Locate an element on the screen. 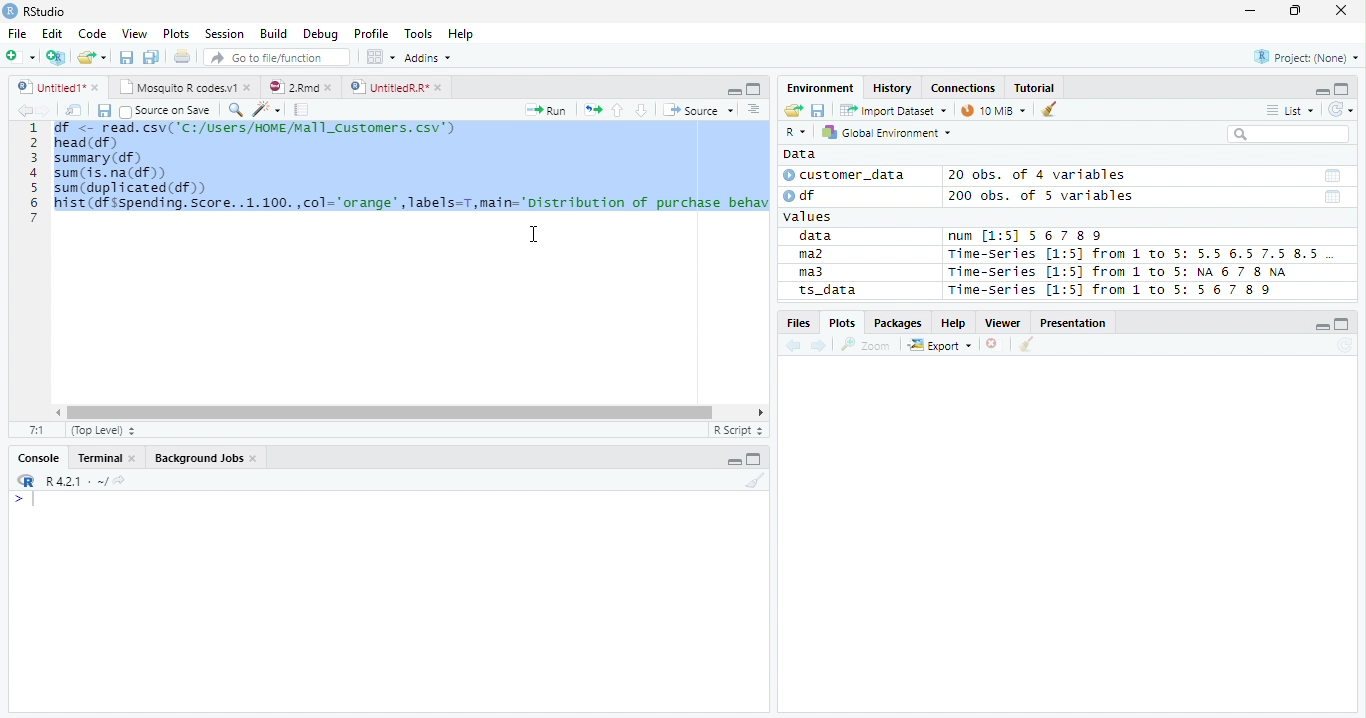  Help is located at coordinates (463, 34).